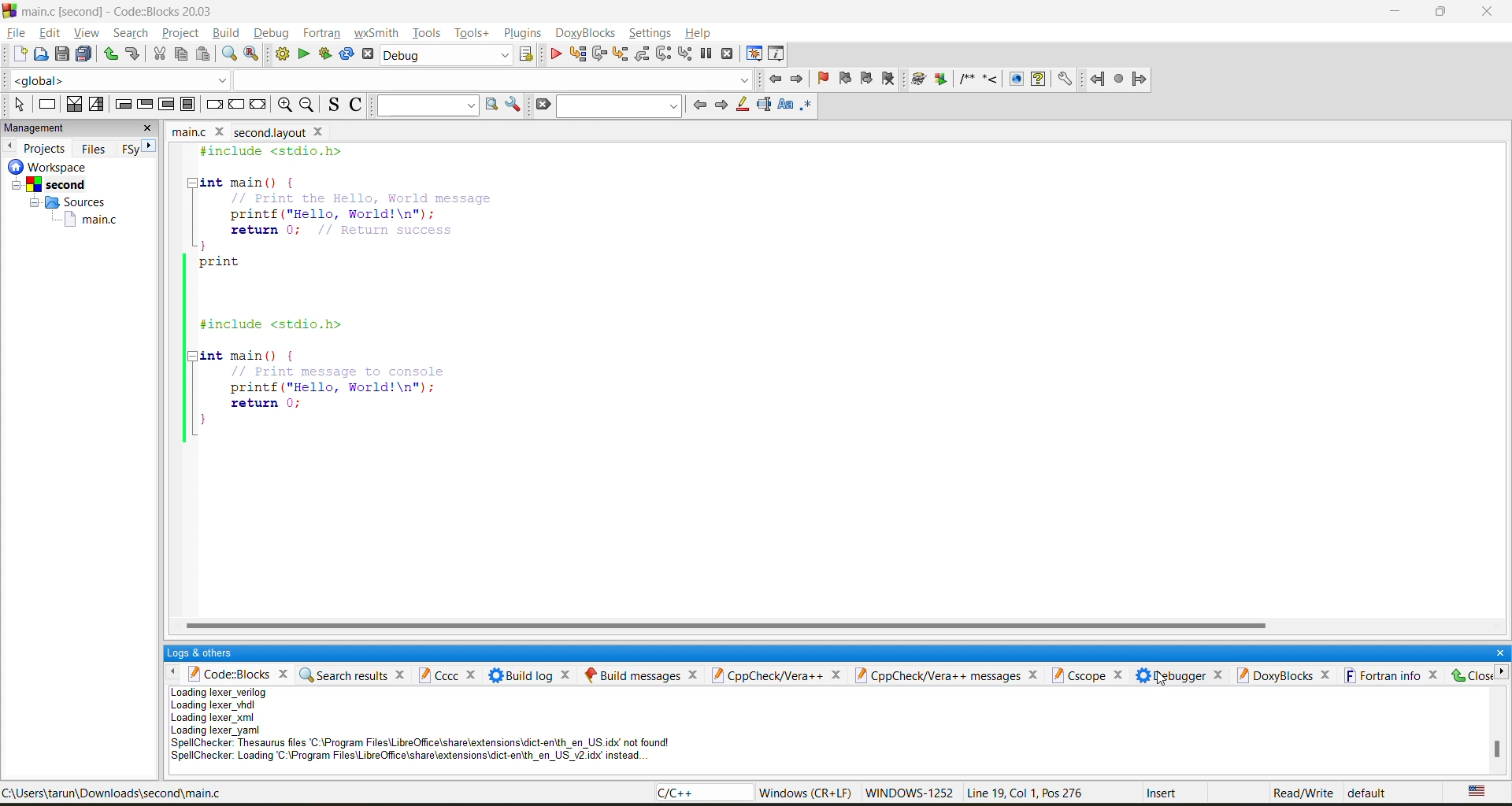 The width and height of the screenshot is (1512, 806). Describe the element at coordinates (321, 33) in the screenshot. I see `fortran` at that location.